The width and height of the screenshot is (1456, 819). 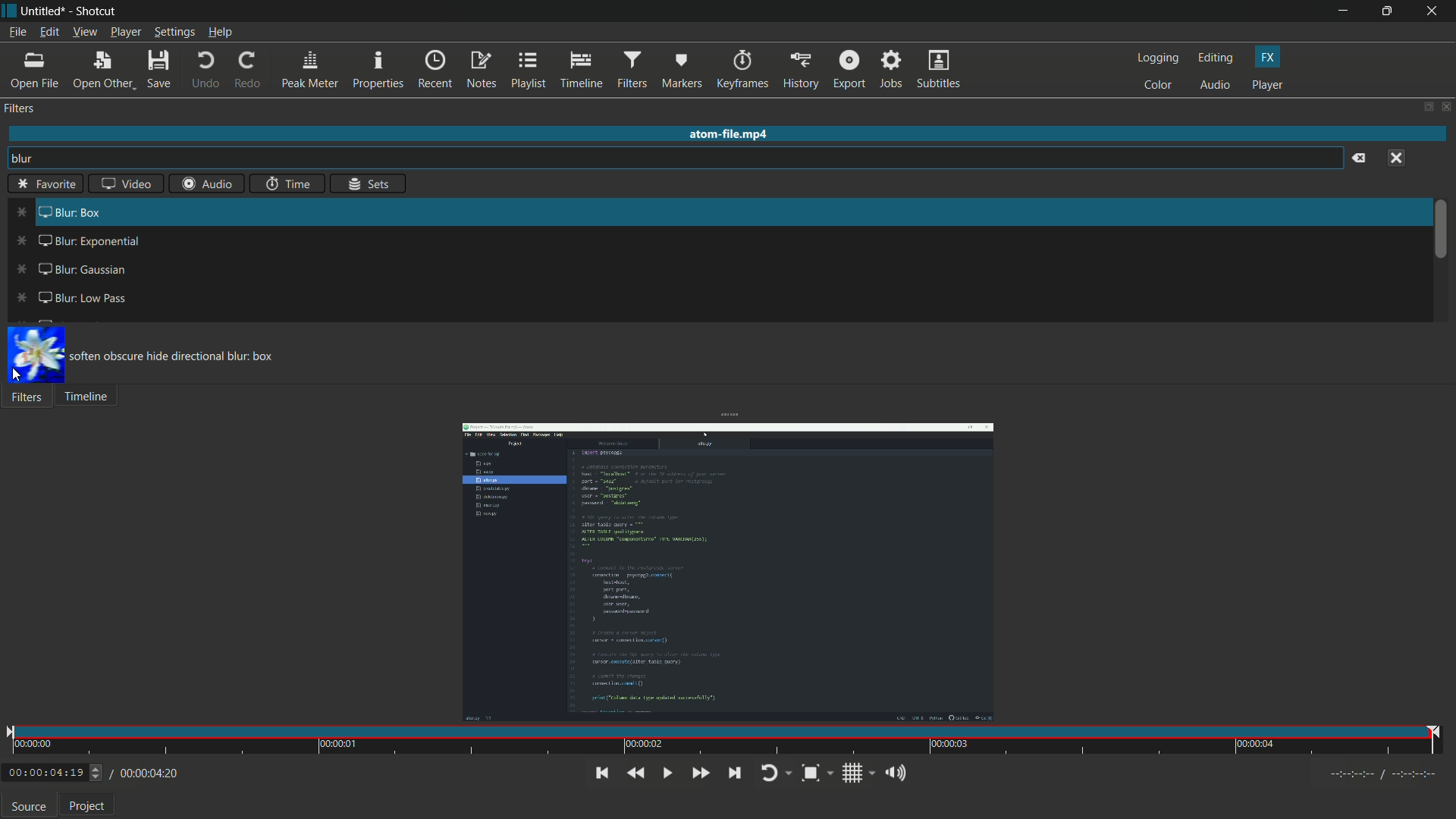 I want to click on keyframes, so click(x=743, y=71).